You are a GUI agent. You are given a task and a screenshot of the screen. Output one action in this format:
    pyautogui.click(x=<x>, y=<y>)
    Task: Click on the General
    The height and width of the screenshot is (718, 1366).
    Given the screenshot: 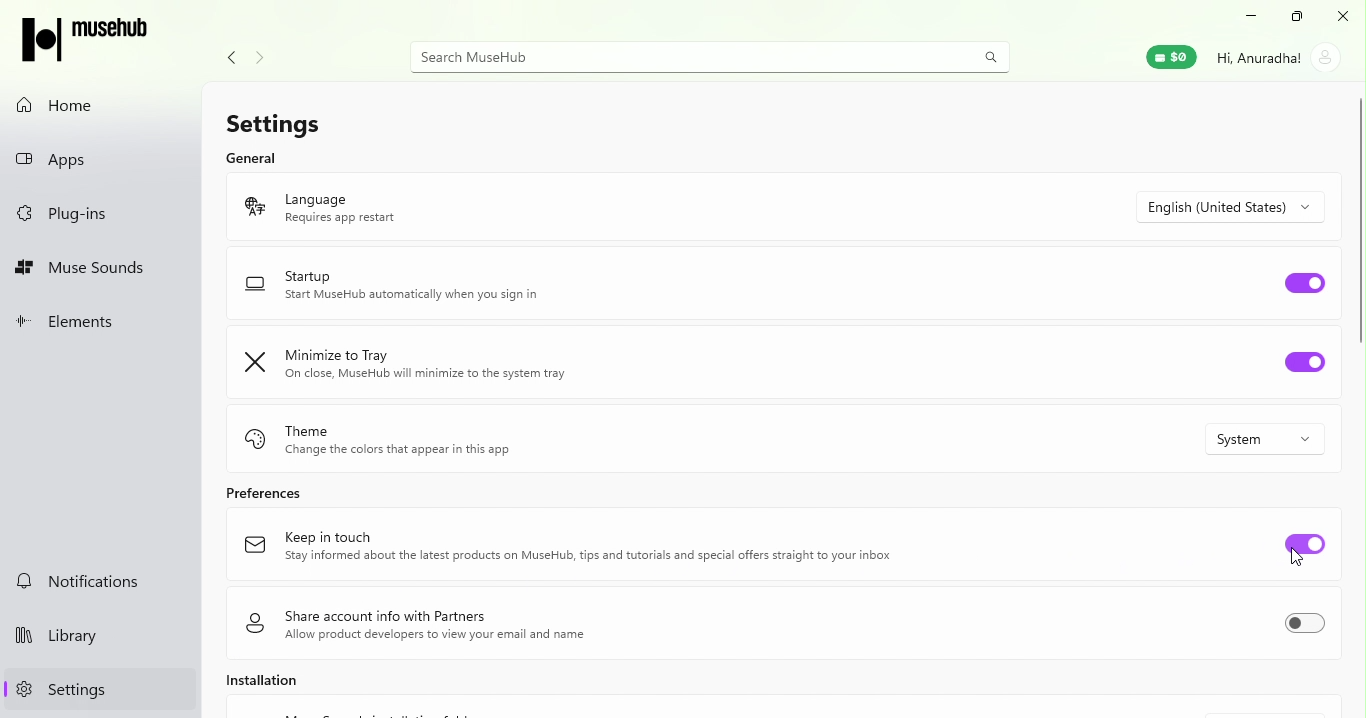 What is the action you would take?
    pyautogui.click(x=252, y=156)
    